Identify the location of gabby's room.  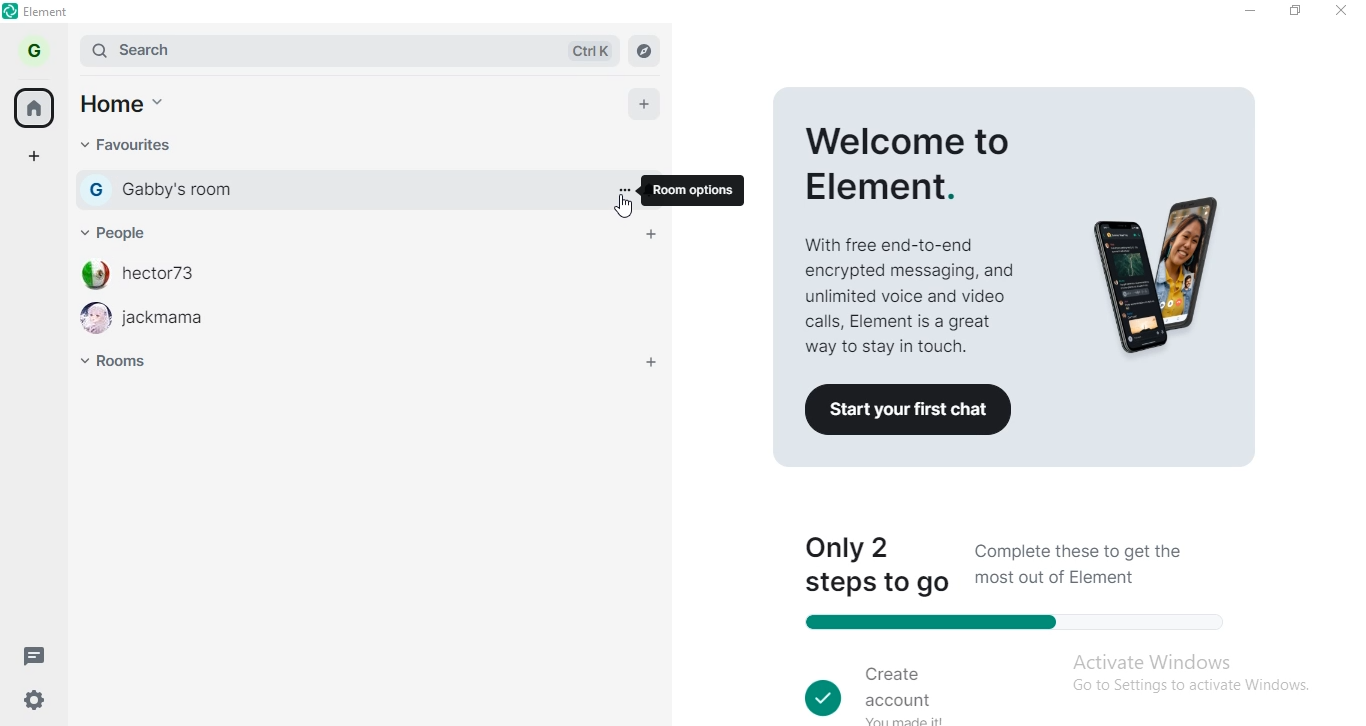
(351, 190).